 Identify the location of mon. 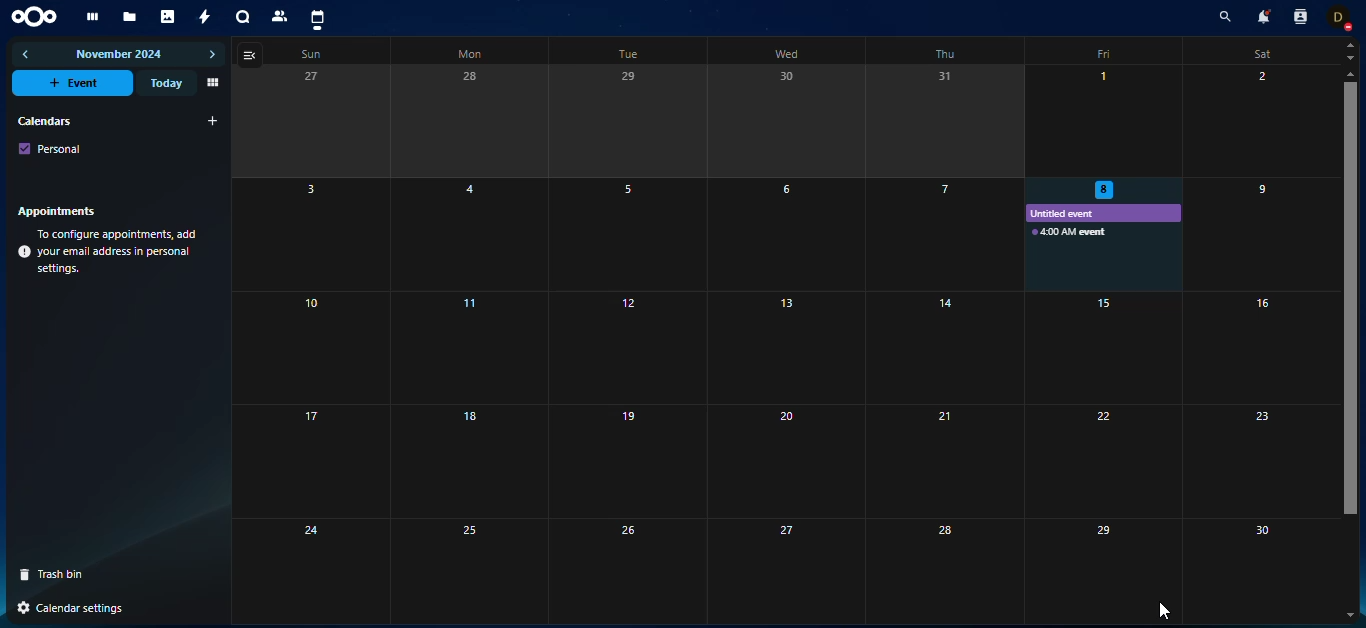
(468, 55).